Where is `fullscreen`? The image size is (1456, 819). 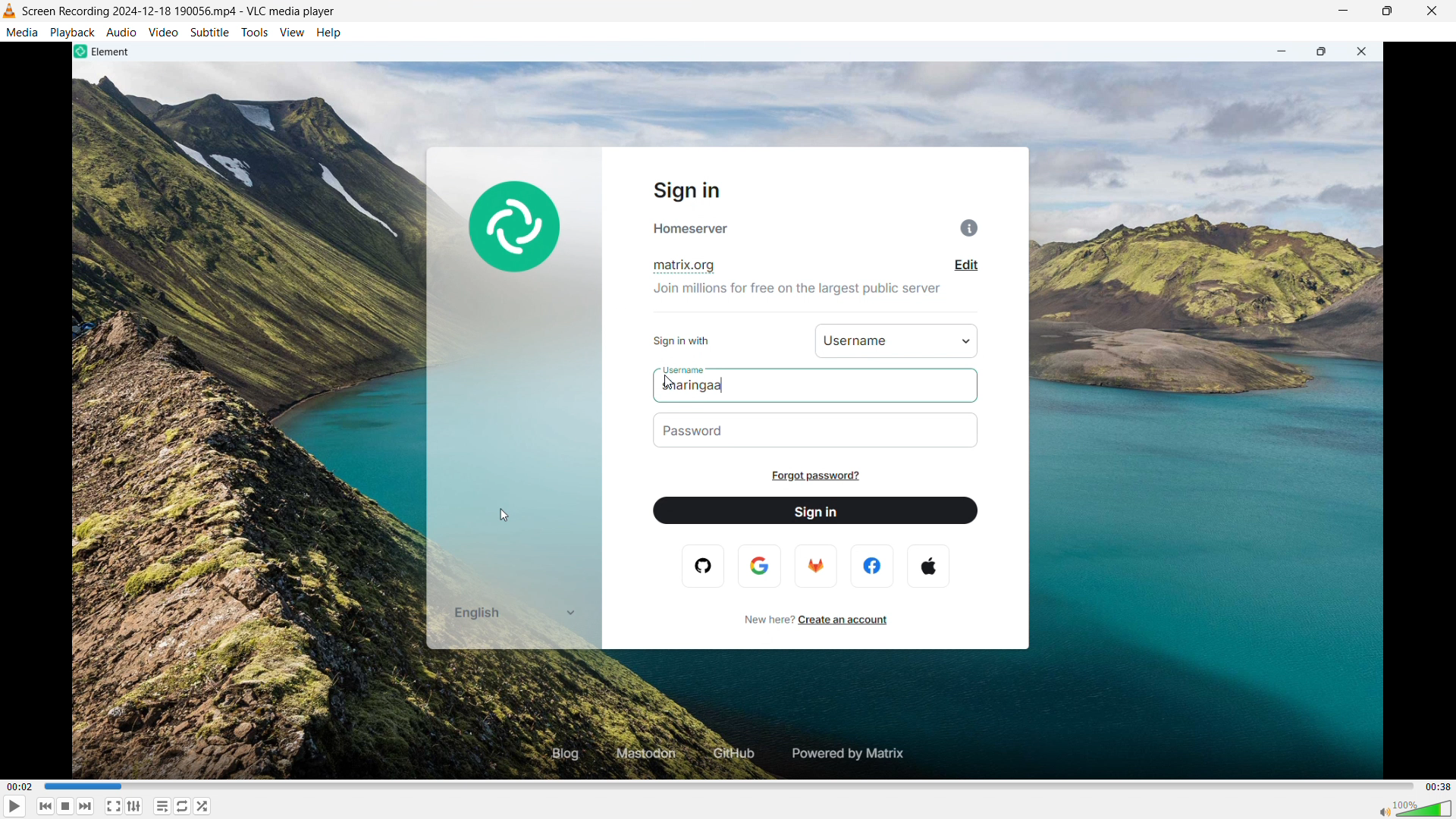 fullscreen is located at coordinates (113, 806).